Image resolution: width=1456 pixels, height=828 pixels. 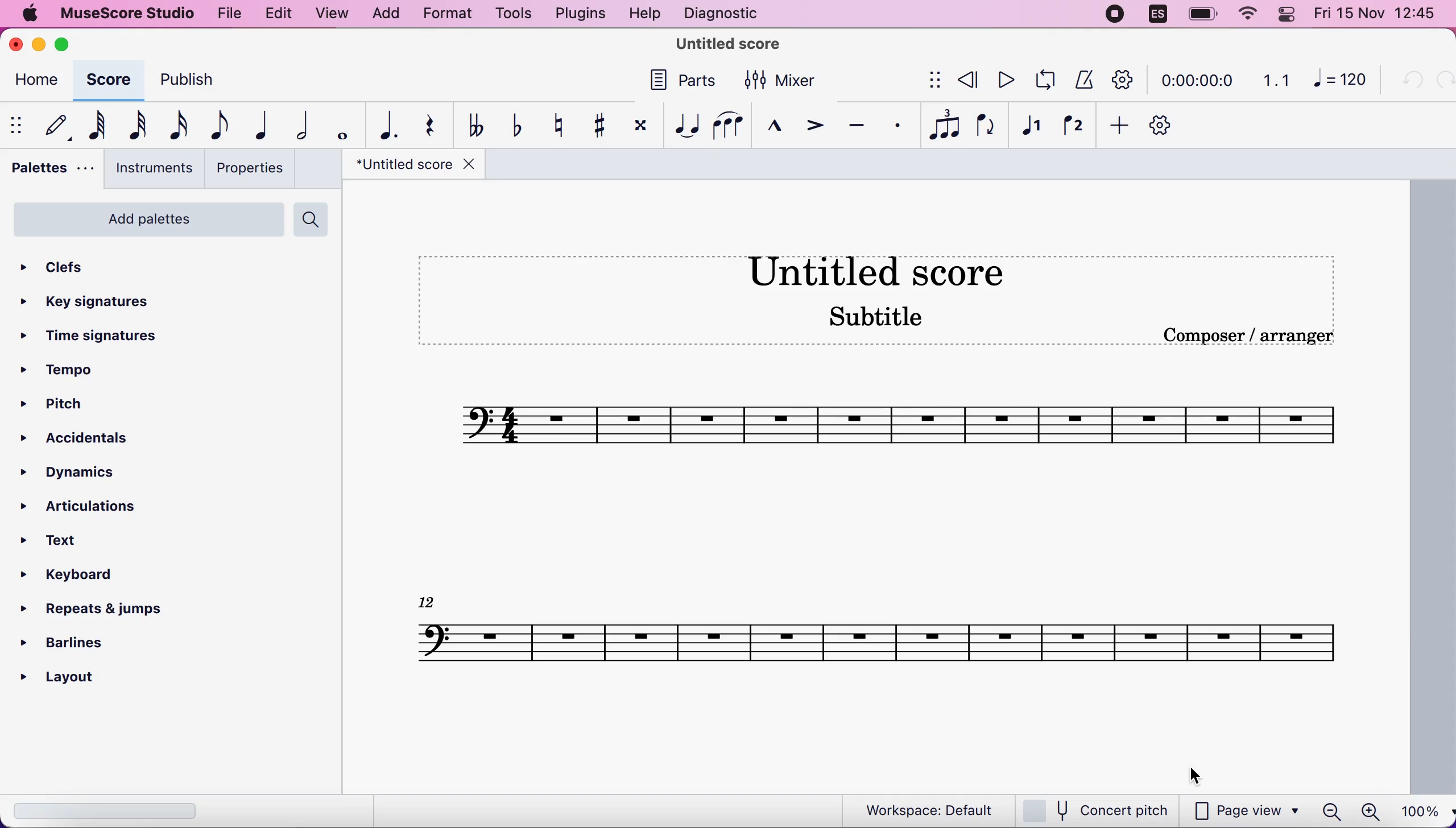 I want to click on toggle natural, so click(x=552, y=125).